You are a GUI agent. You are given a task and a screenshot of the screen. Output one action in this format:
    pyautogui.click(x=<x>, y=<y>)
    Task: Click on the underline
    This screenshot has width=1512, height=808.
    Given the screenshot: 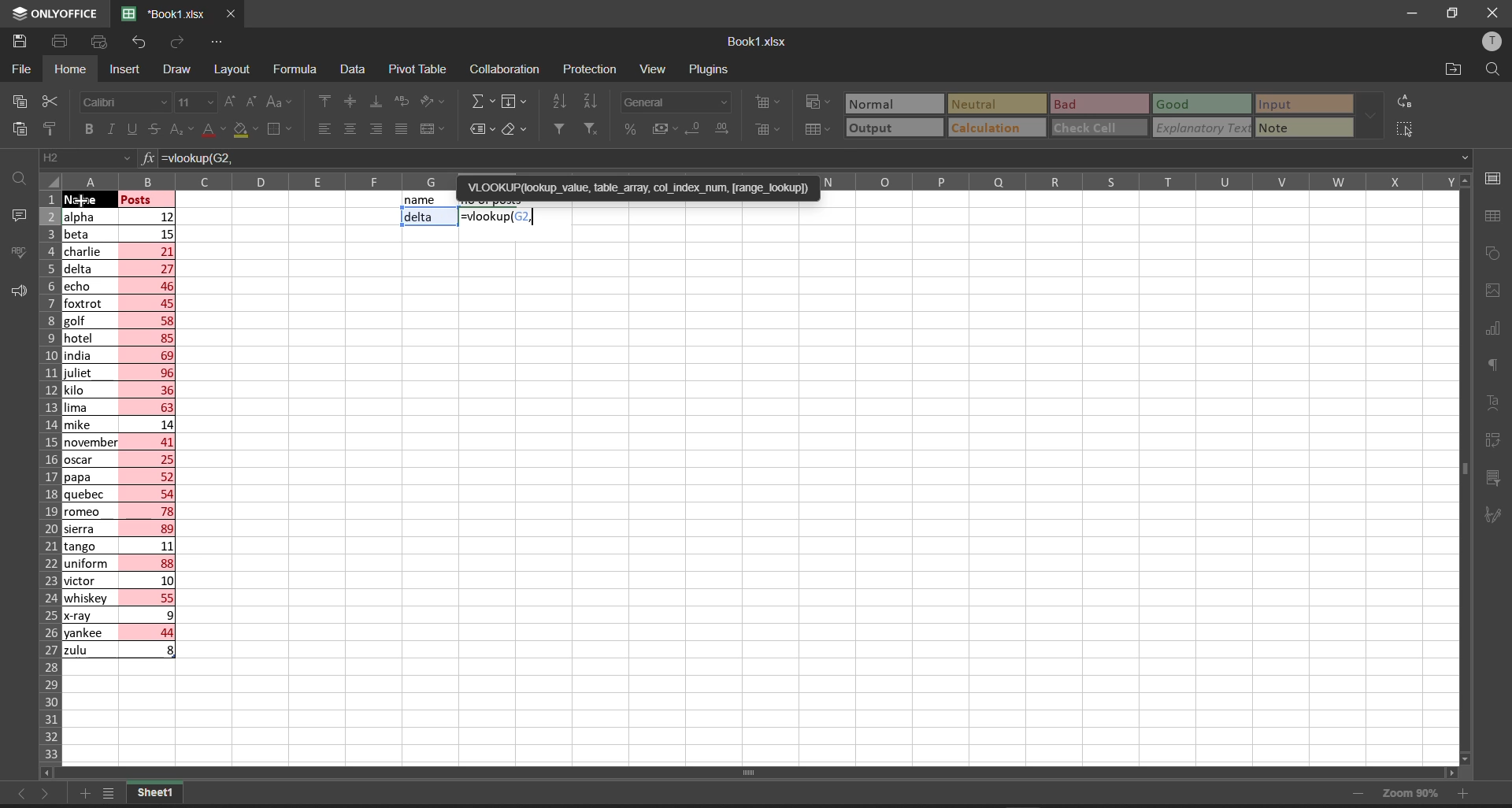 What is the action you would take?
    pyautogui.click(x=129, y=128)
    